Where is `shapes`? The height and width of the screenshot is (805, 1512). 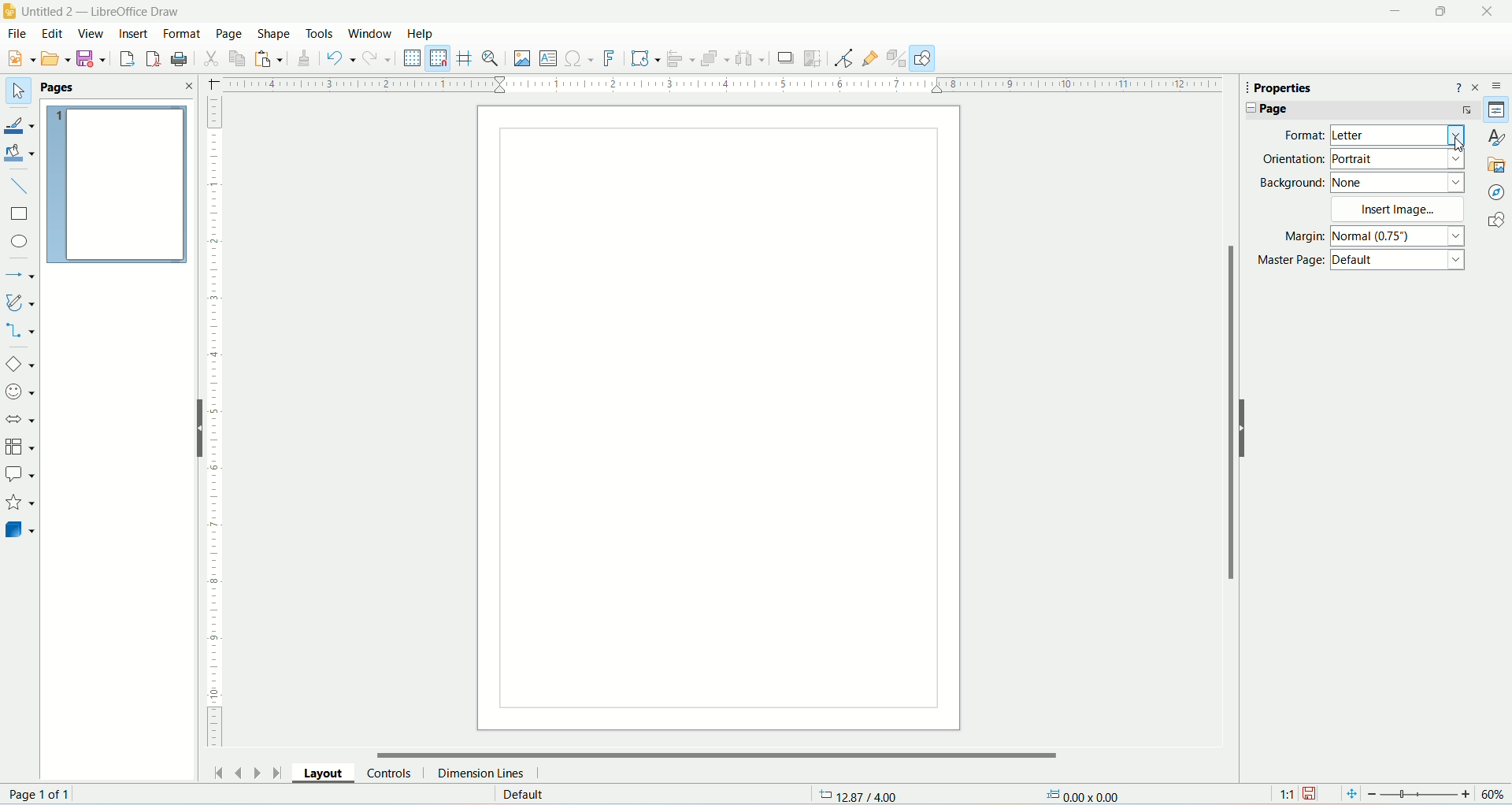 shapes is located at coordinates (1495, 217).